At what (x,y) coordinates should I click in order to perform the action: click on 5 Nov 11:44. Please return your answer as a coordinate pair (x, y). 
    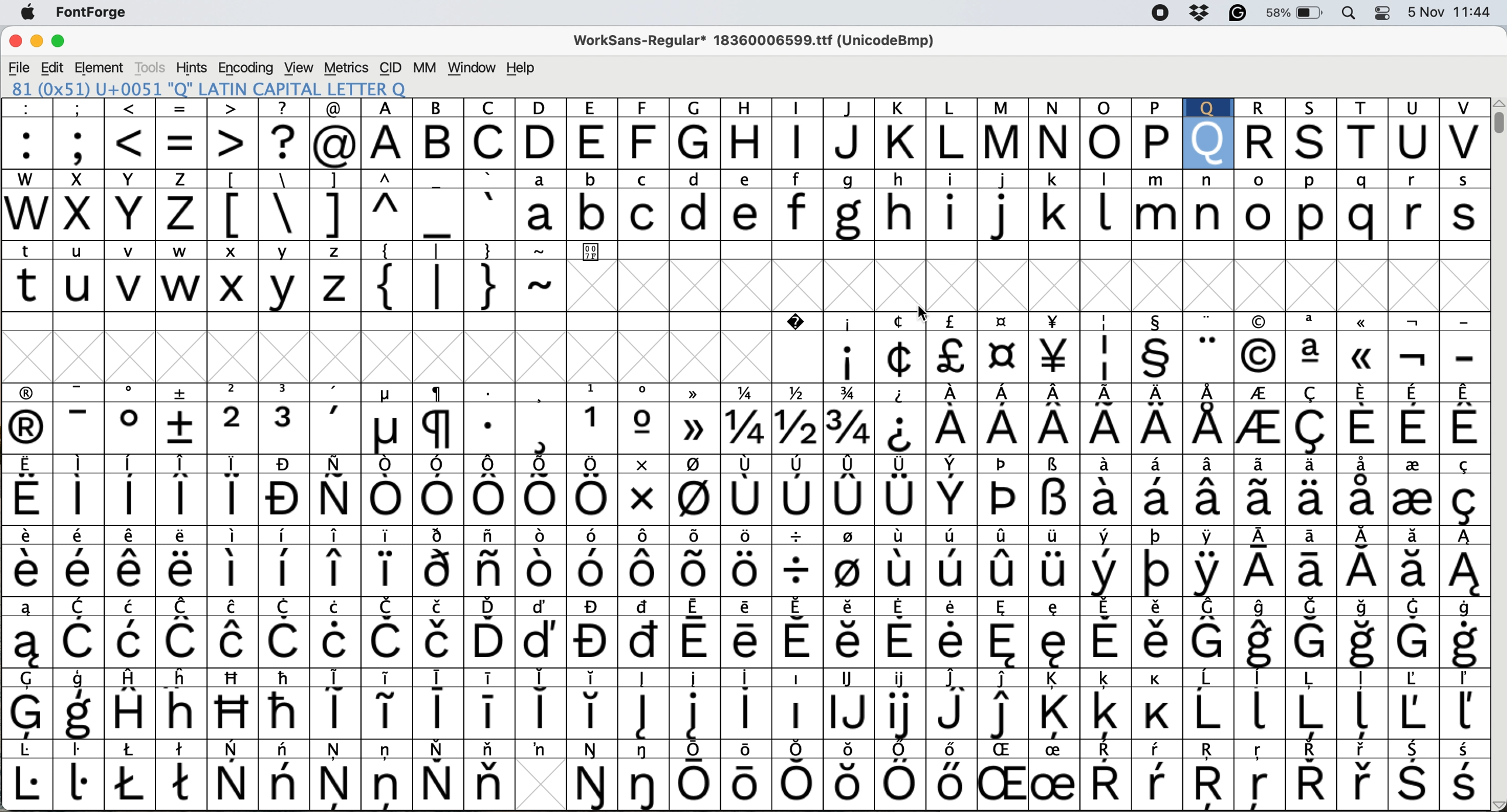
    Looking at the image, I should click on (1451, 15).